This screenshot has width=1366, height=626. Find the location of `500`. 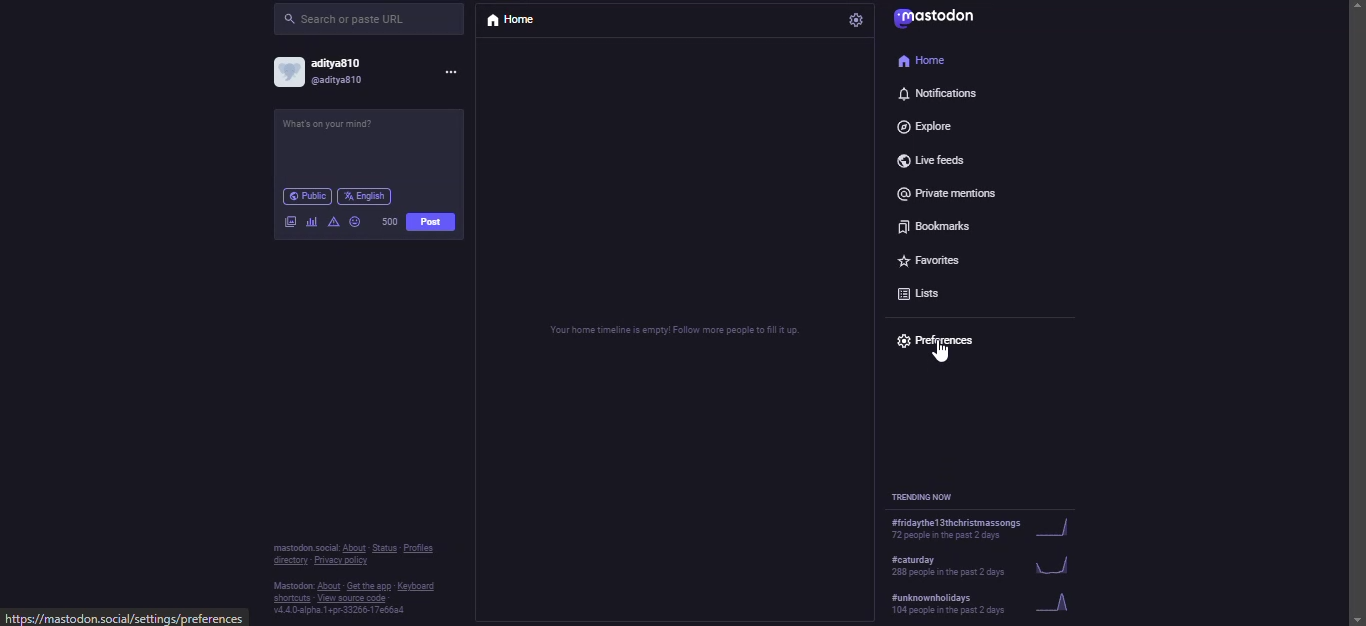

500 is located at coordinates (390, 222).